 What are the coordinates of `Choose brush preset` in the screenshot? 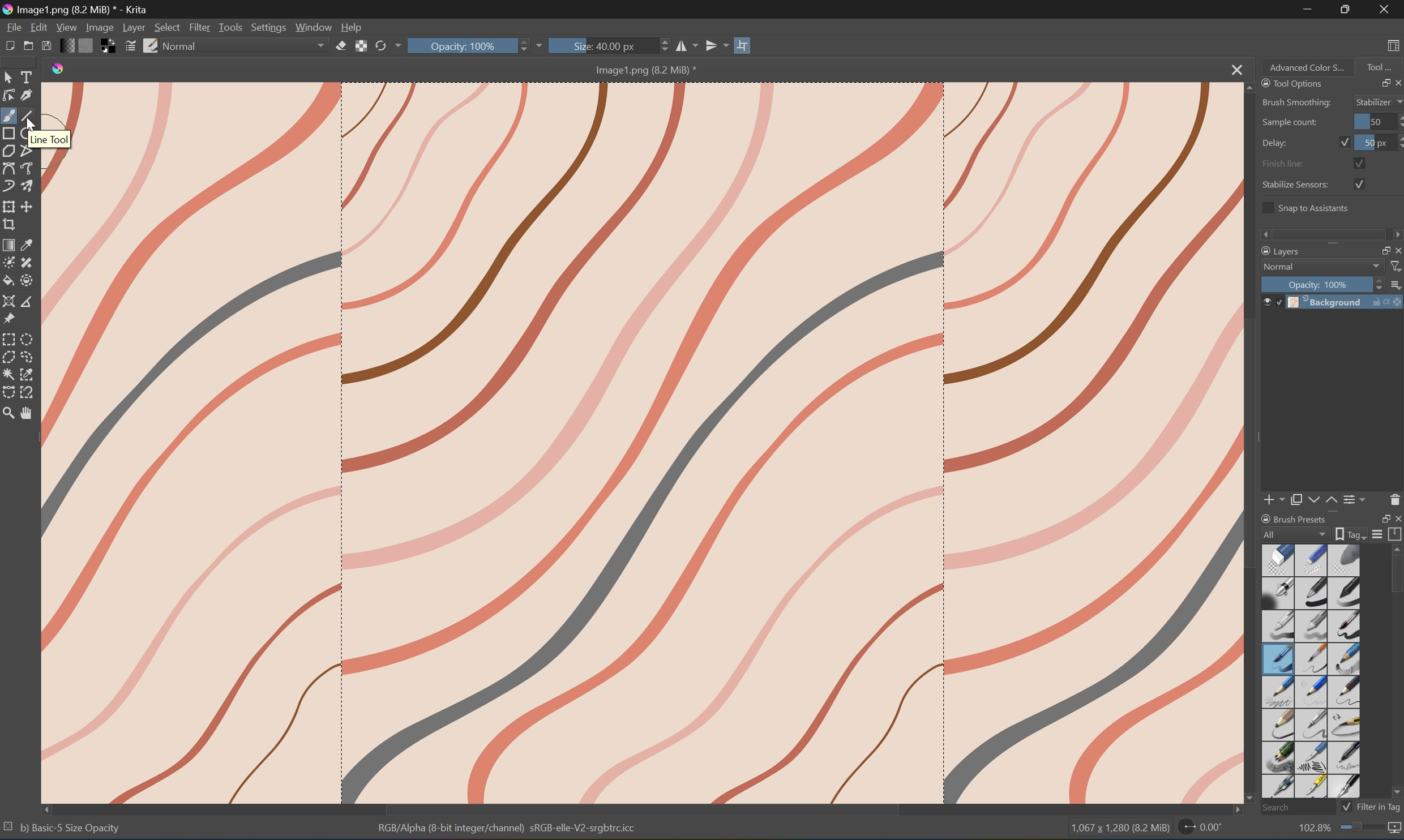 It's located at (151, 45).